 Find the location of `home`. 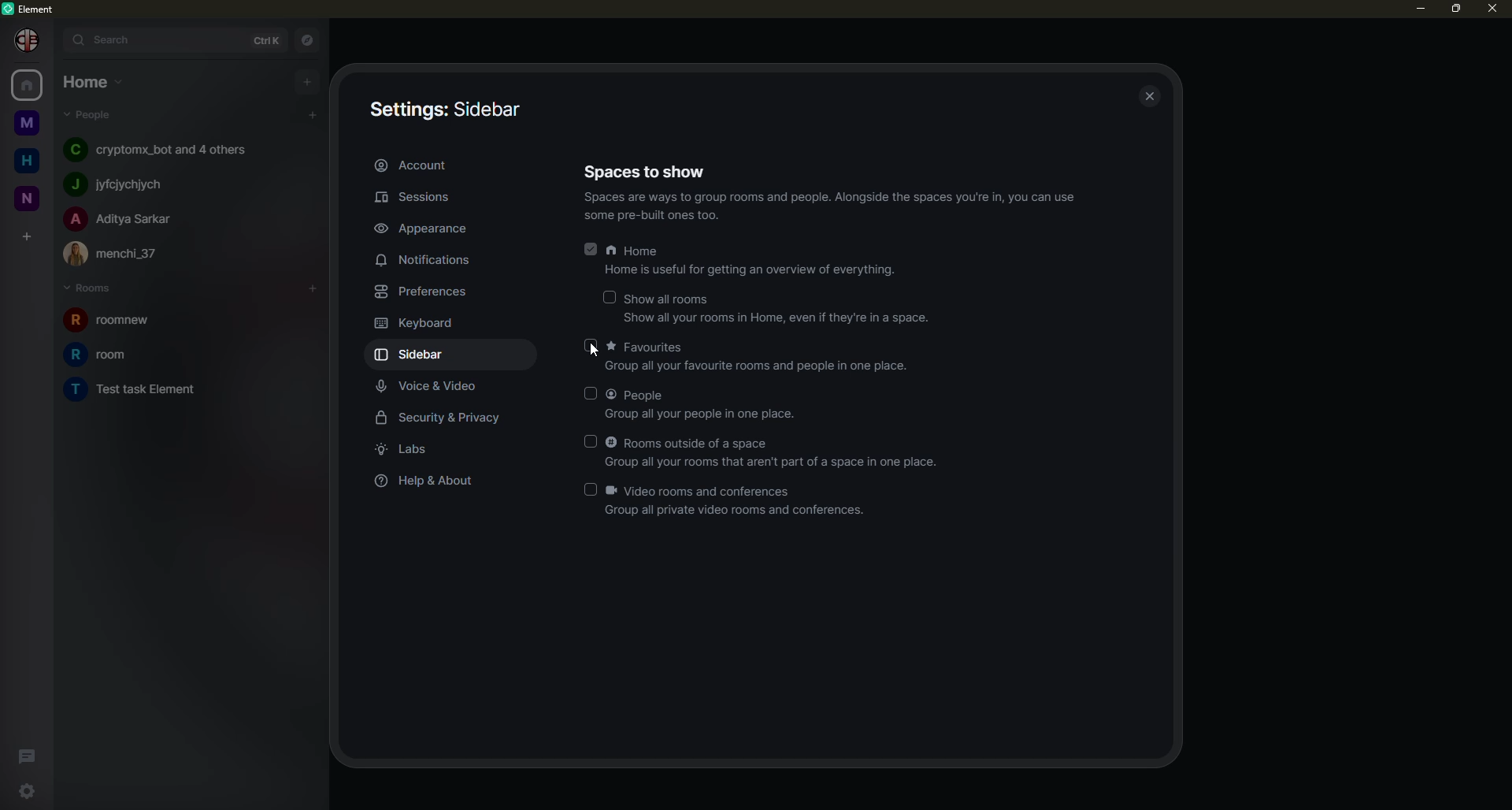

home is located at coordinates (24, 158).